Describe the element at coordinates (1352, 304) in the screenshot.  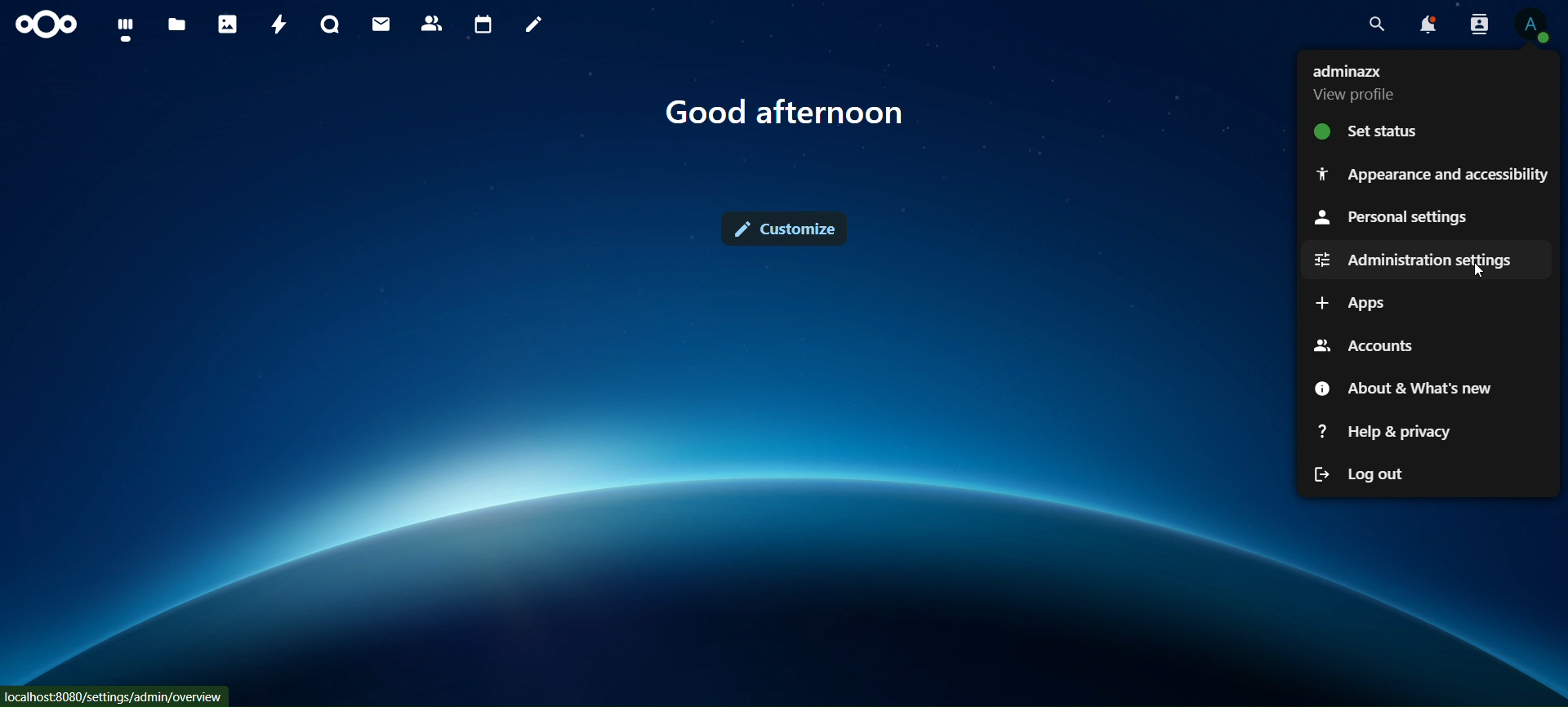
I see `apps` at that location.